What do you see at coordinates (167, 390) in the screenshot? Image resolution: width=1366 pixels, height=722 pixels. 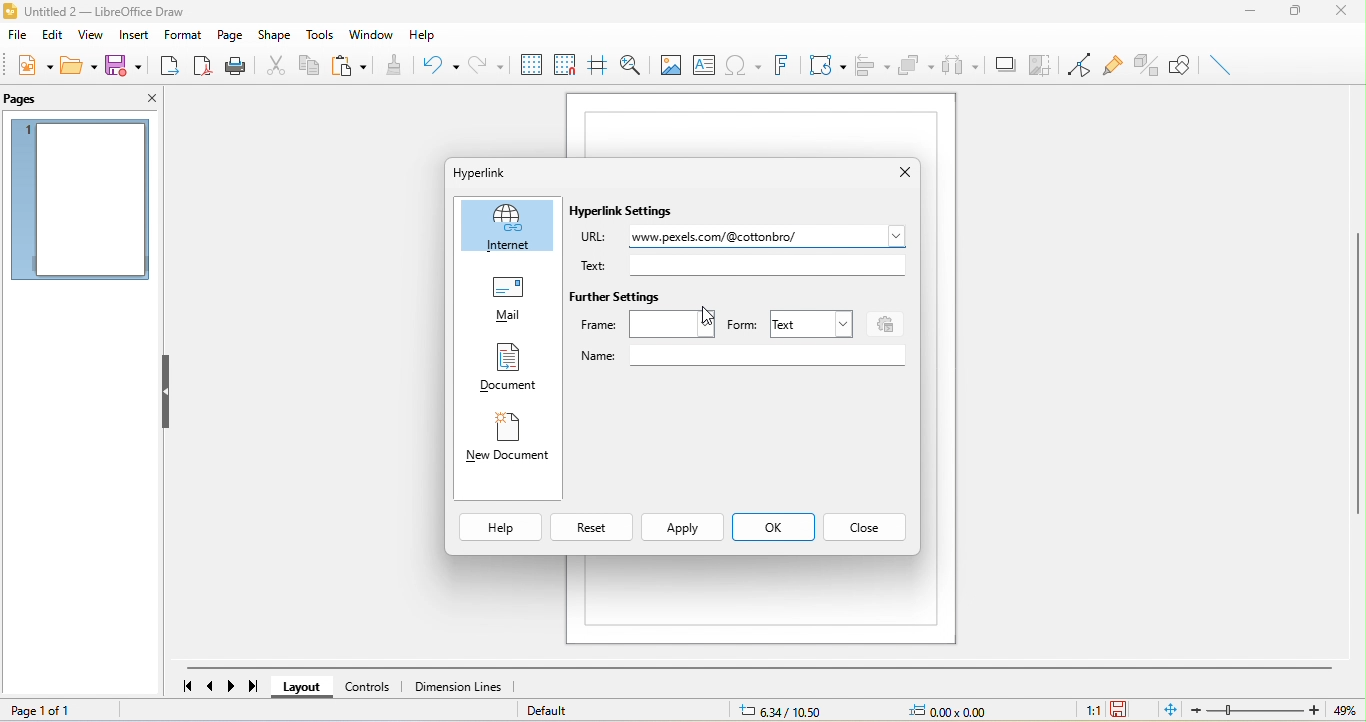 I see `hide` at bounding box center [167, 390].